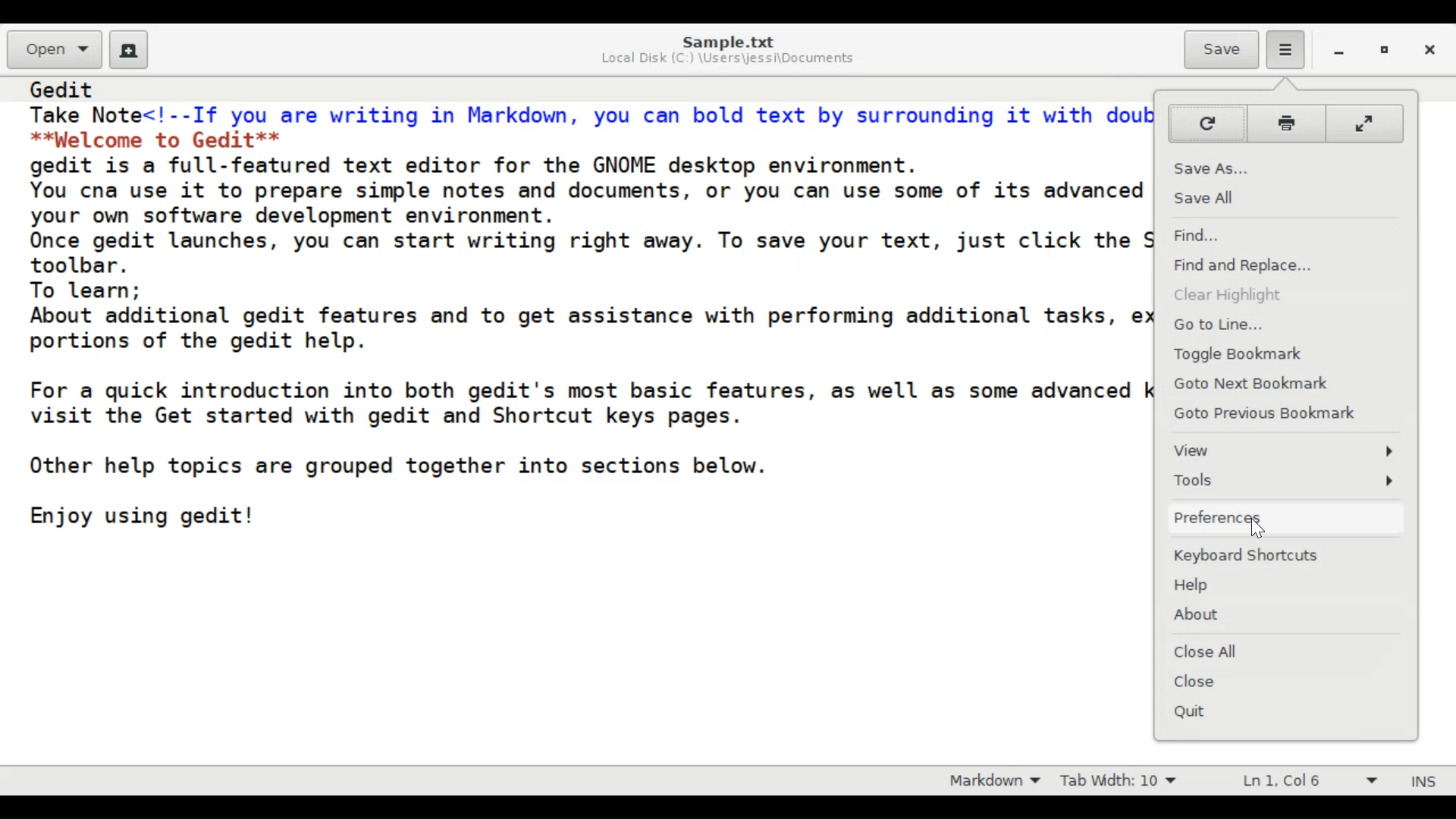 The image size is (1456, 819). Describe the element at coordinates (1341, 54) in the screenshot. I see `minimize` at that location.